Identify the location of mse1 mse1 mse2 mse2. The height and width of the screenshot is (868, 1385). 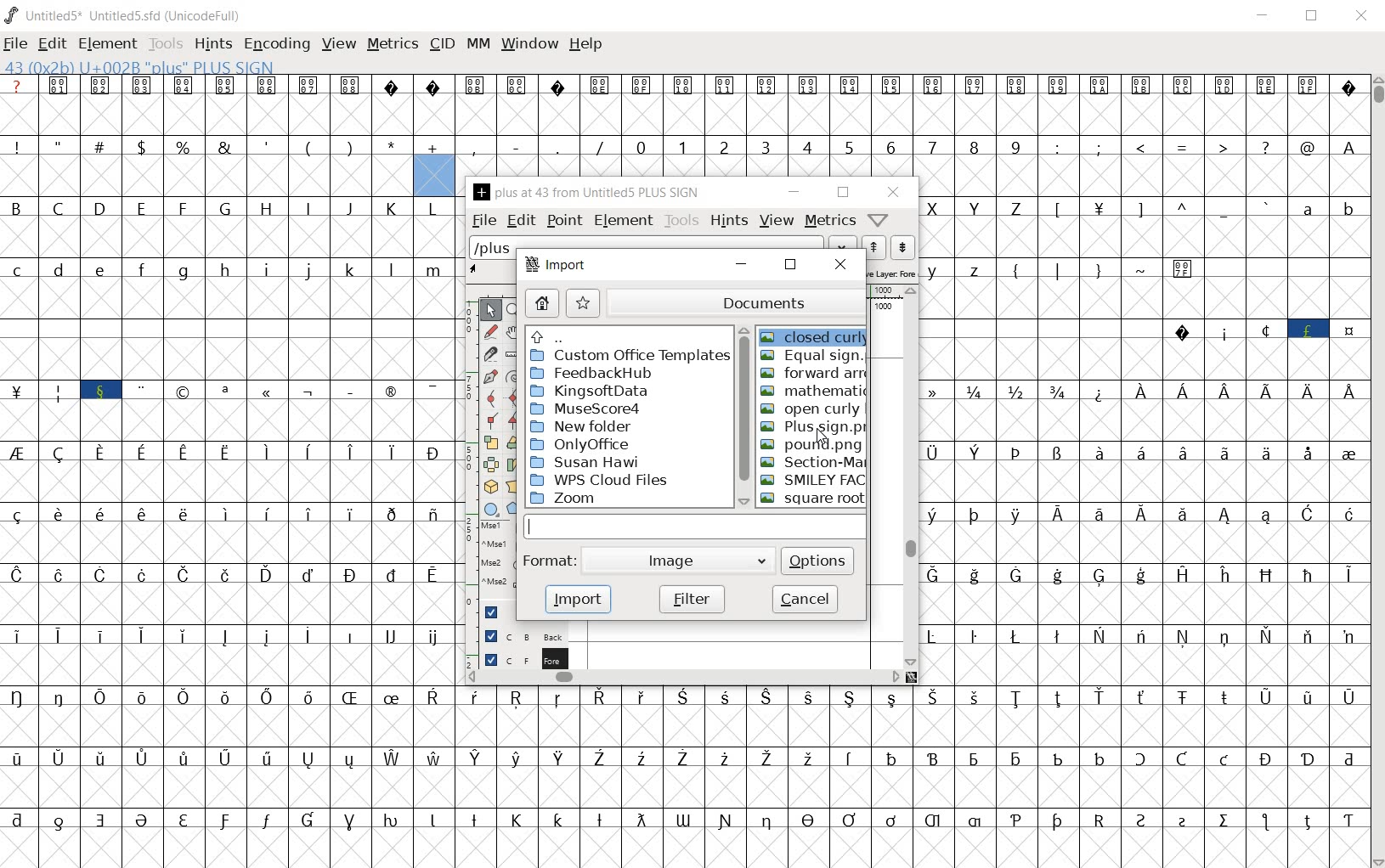
(496, 554).